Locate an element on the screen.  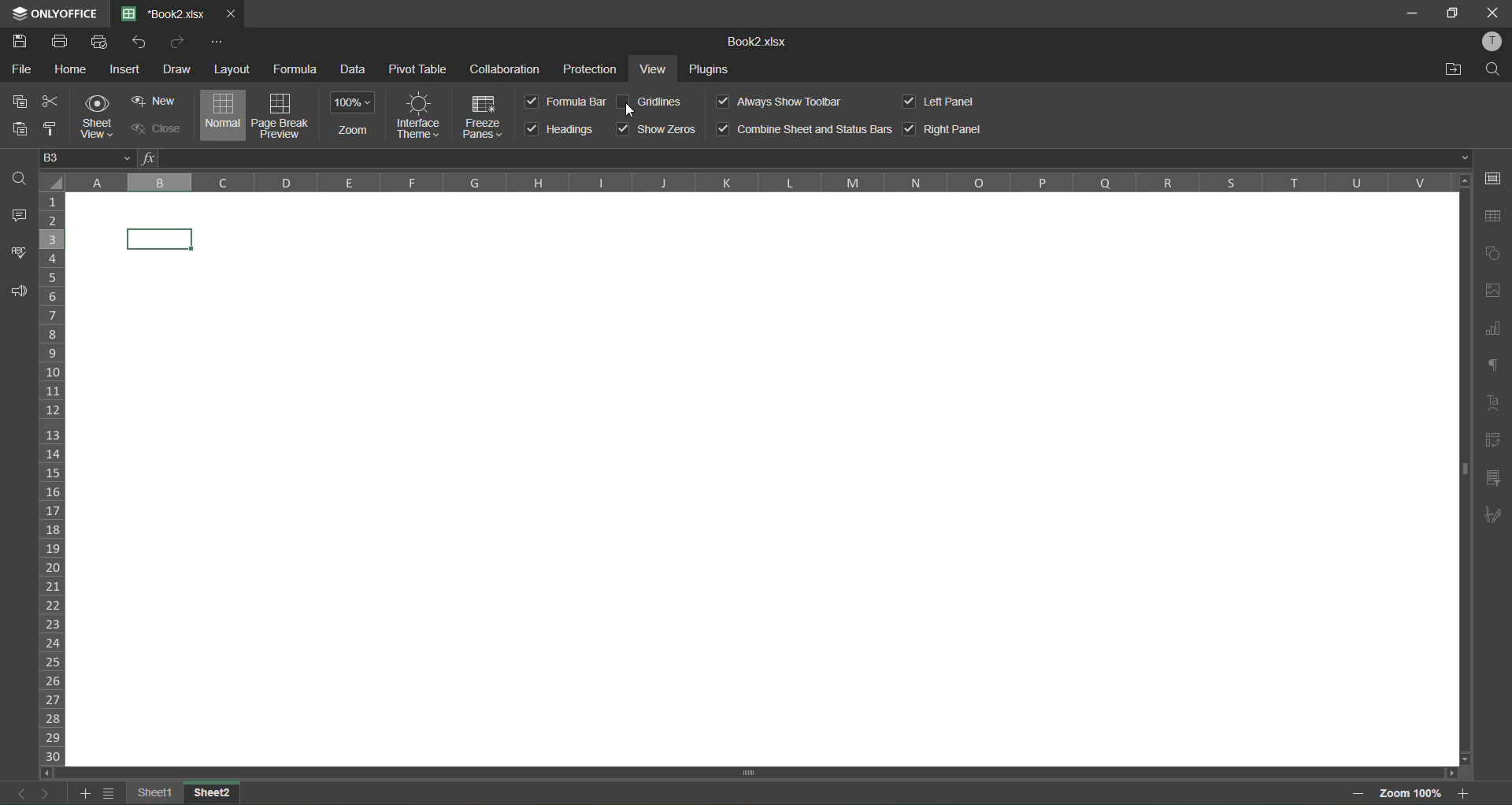
new is located at coordinates (157, 101).